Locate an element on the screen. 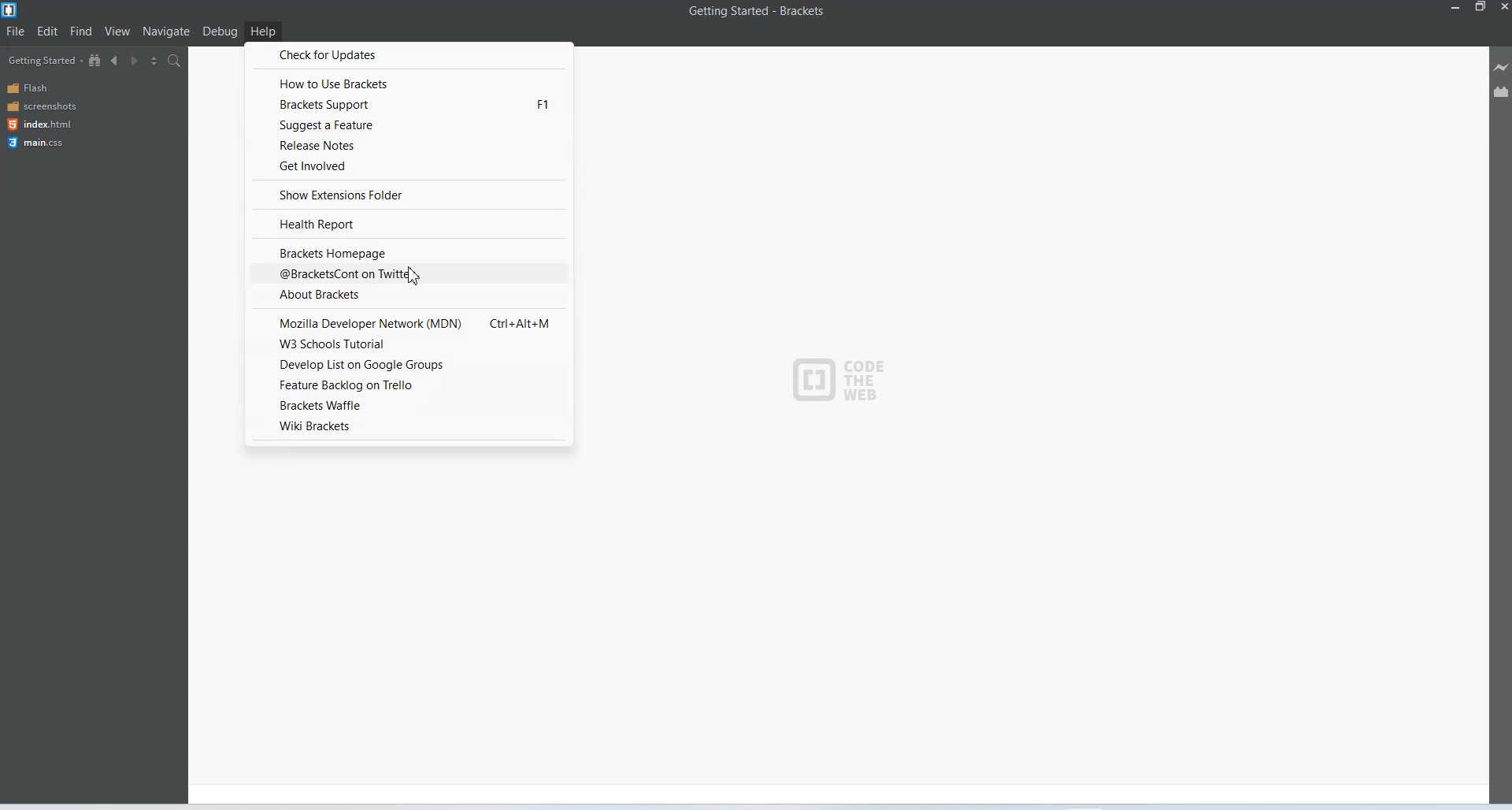 The width and height of the screenshot is (1512, 810). Extension Manager is located at coordinates (1502, 91).